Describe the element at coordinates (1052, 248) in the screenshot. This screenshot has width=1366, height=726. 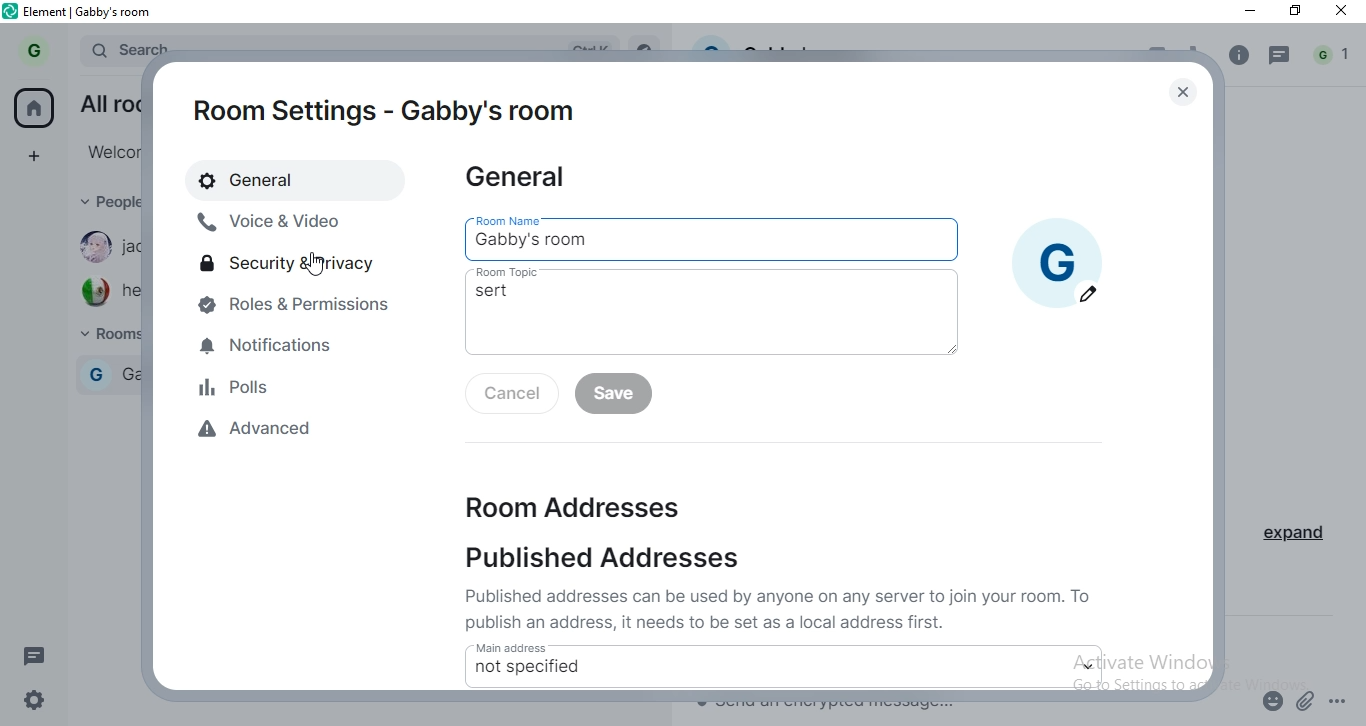
I see `profile picture` at that location.